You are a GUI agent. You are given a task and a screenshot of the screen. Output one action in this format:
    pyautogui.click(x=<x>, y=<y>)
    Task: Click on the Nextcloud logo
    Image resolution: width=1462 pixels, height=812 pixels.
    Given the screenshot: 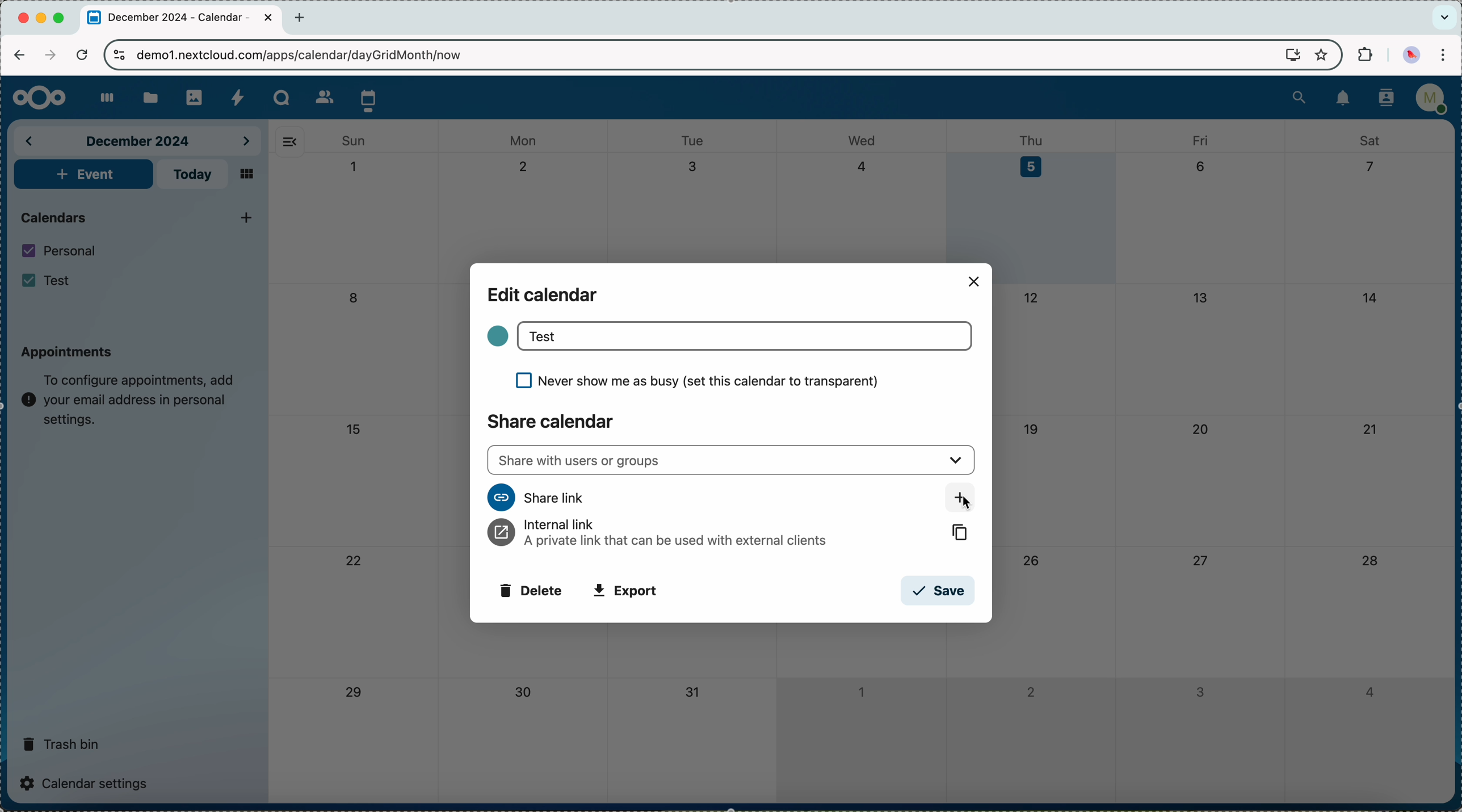 What is the action you would take?
    pyautogui.click(x=35, y=98)
    